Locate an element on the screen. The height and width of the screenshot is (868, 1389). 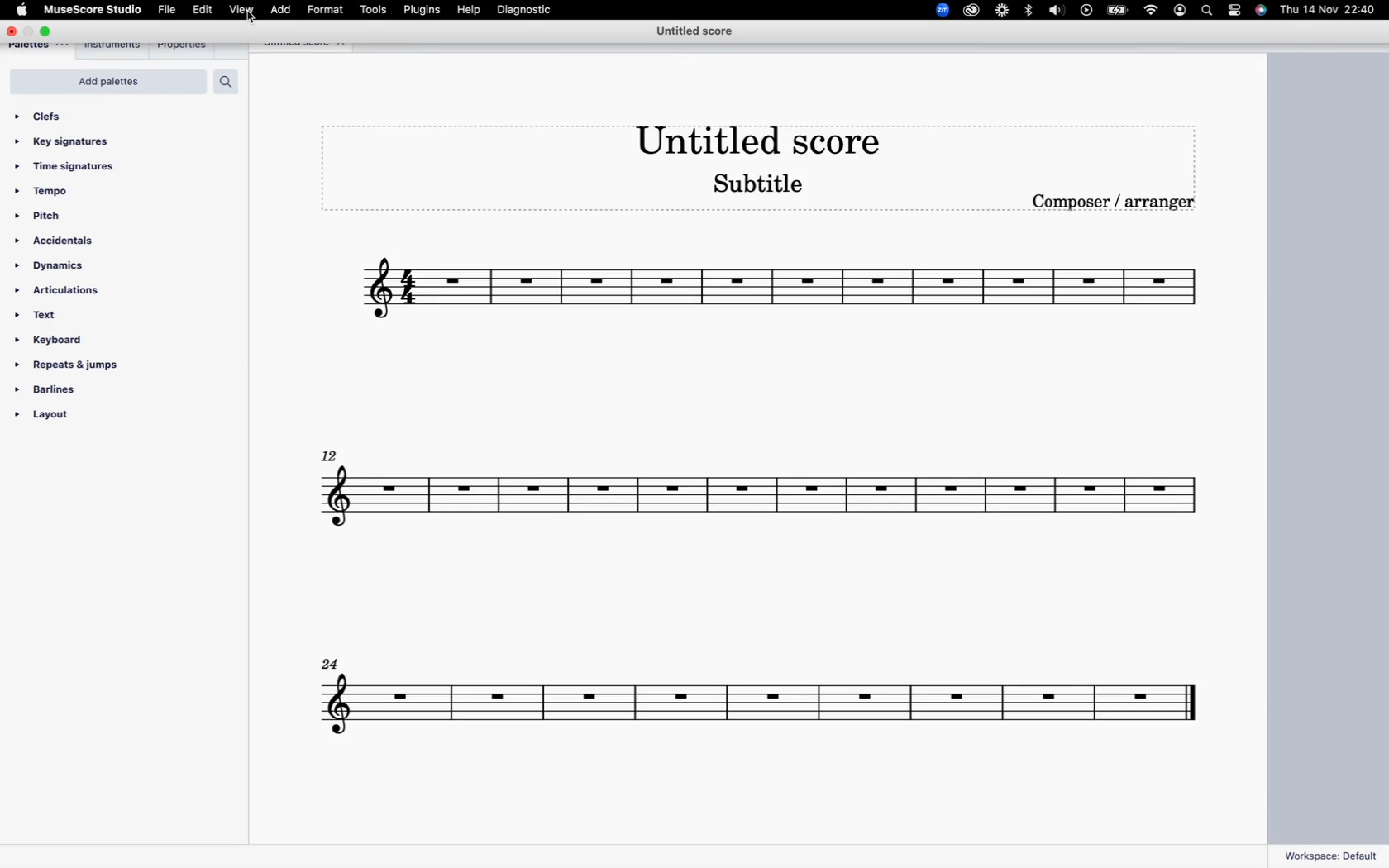
properties is located at coordinates (185, 45).